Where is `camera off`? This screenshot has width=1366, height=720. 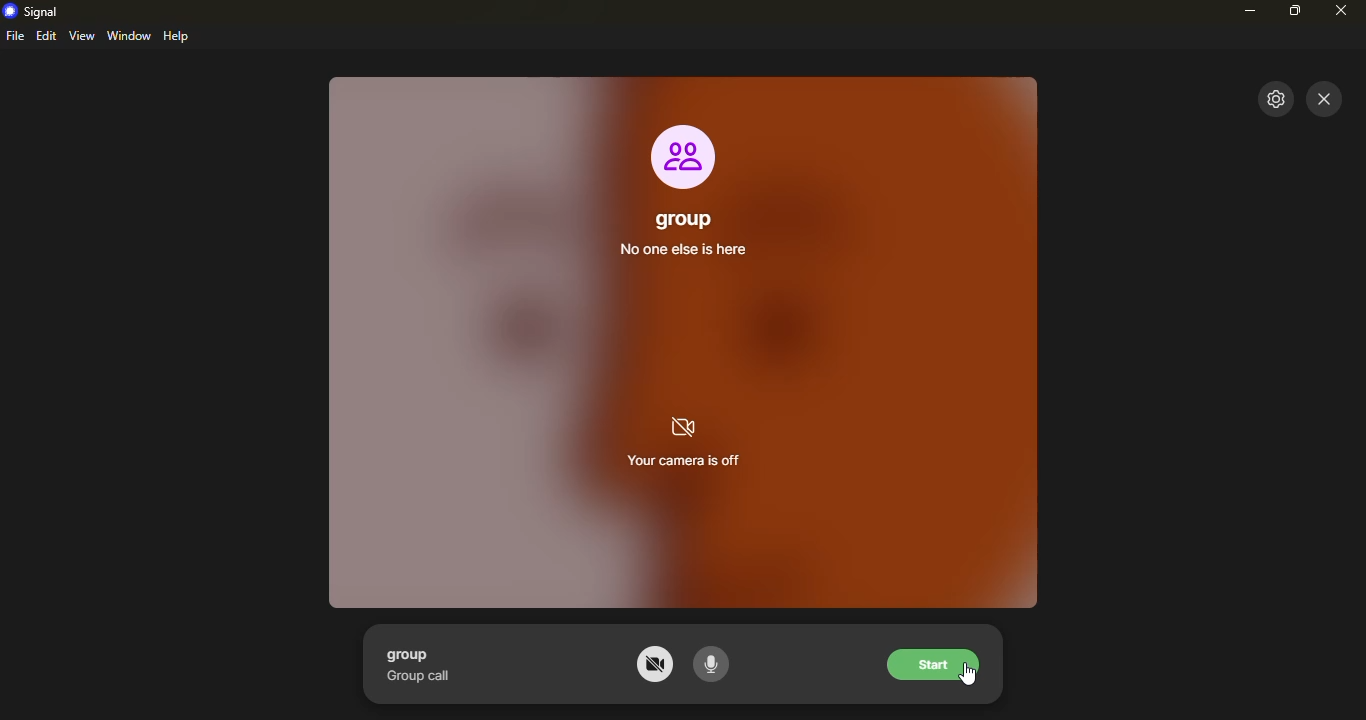
camera off is located at coordinates (652, 665).